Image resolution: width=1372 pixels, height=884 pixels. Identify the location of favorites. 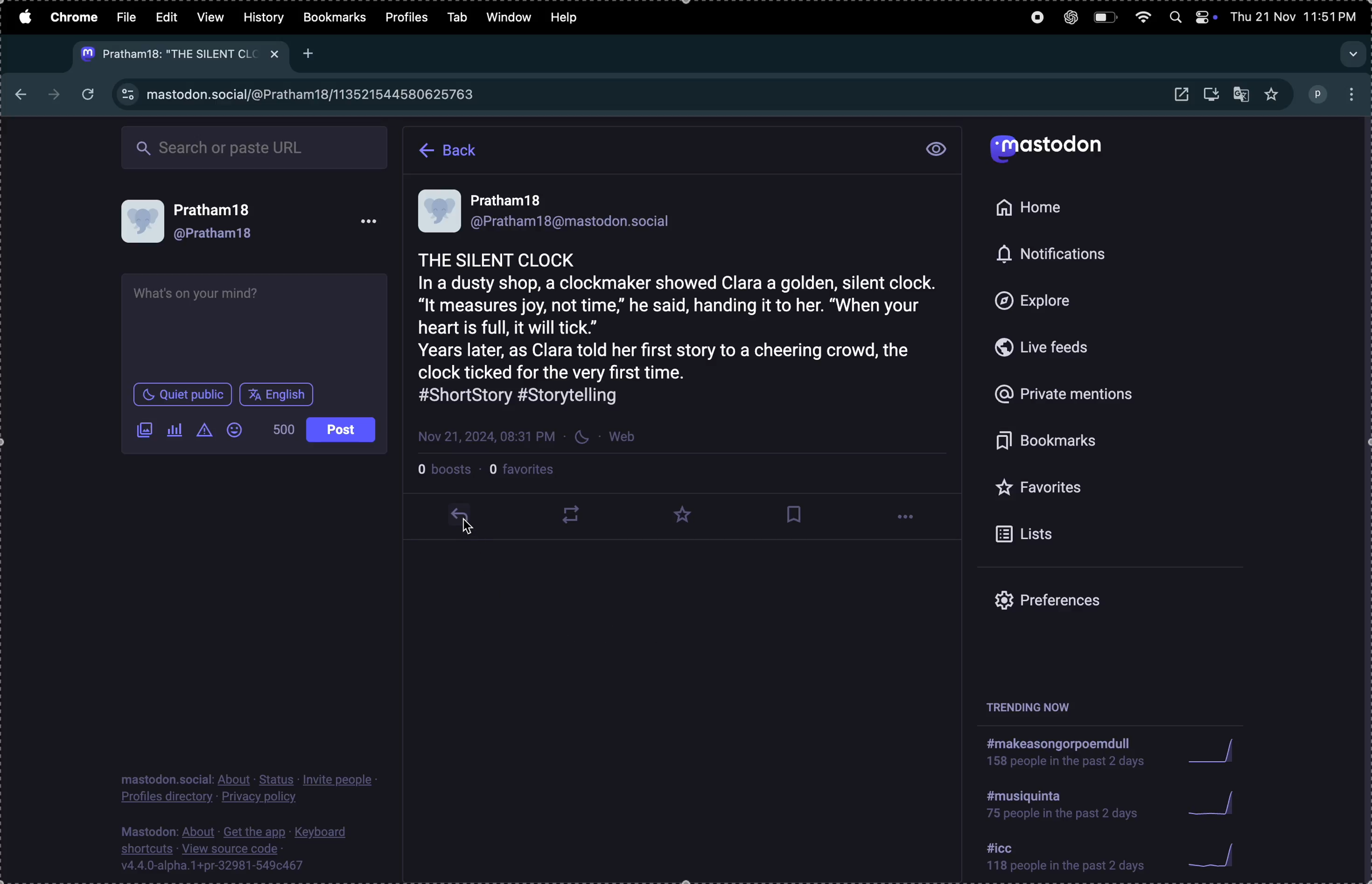
(1273, 94).